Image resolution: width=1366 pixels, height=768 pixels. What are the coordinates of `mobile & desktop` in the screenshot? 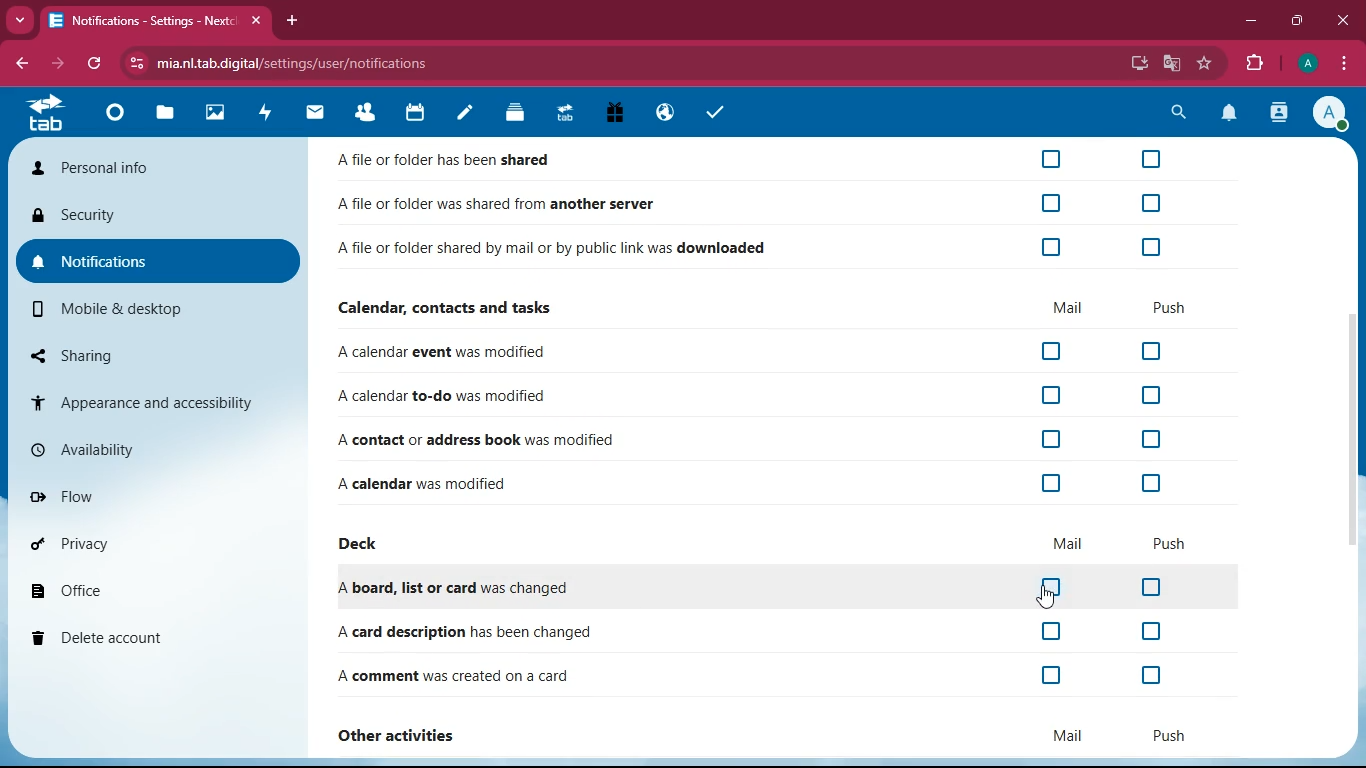 It's located at (160, 310).